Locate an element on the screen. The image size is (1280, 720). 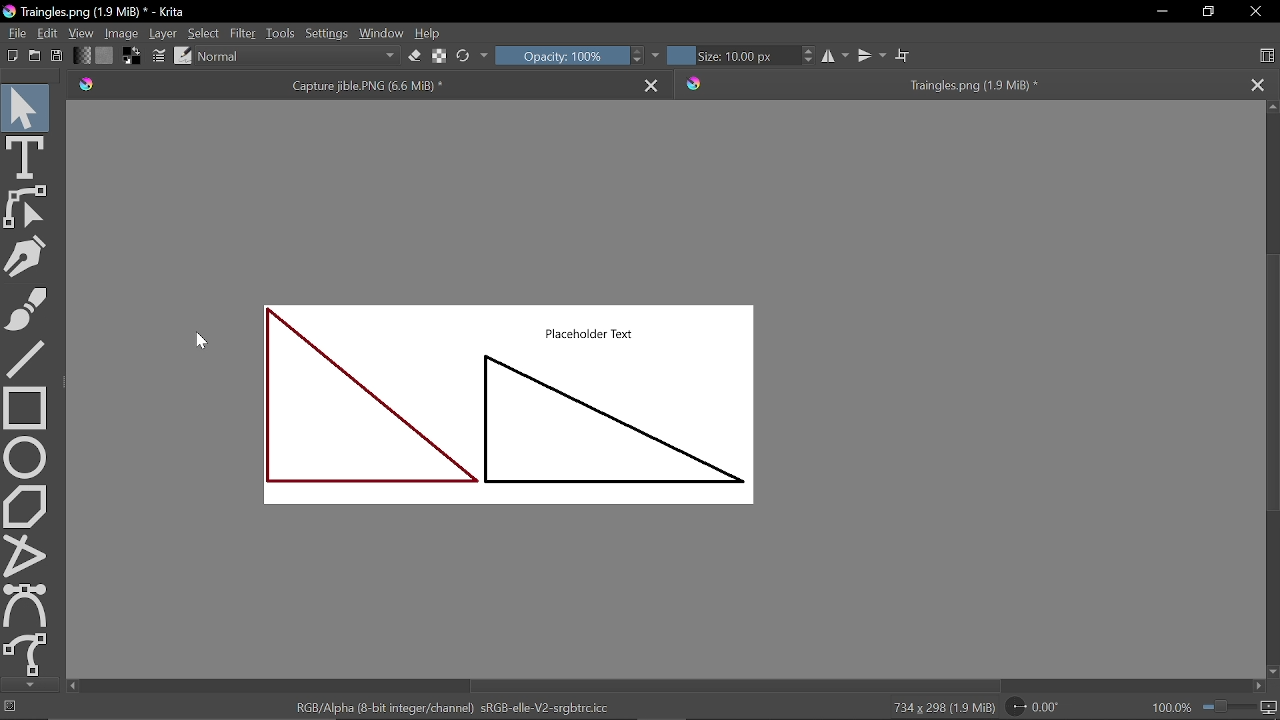
Ellipse tool is located at coordinates (26, 457).